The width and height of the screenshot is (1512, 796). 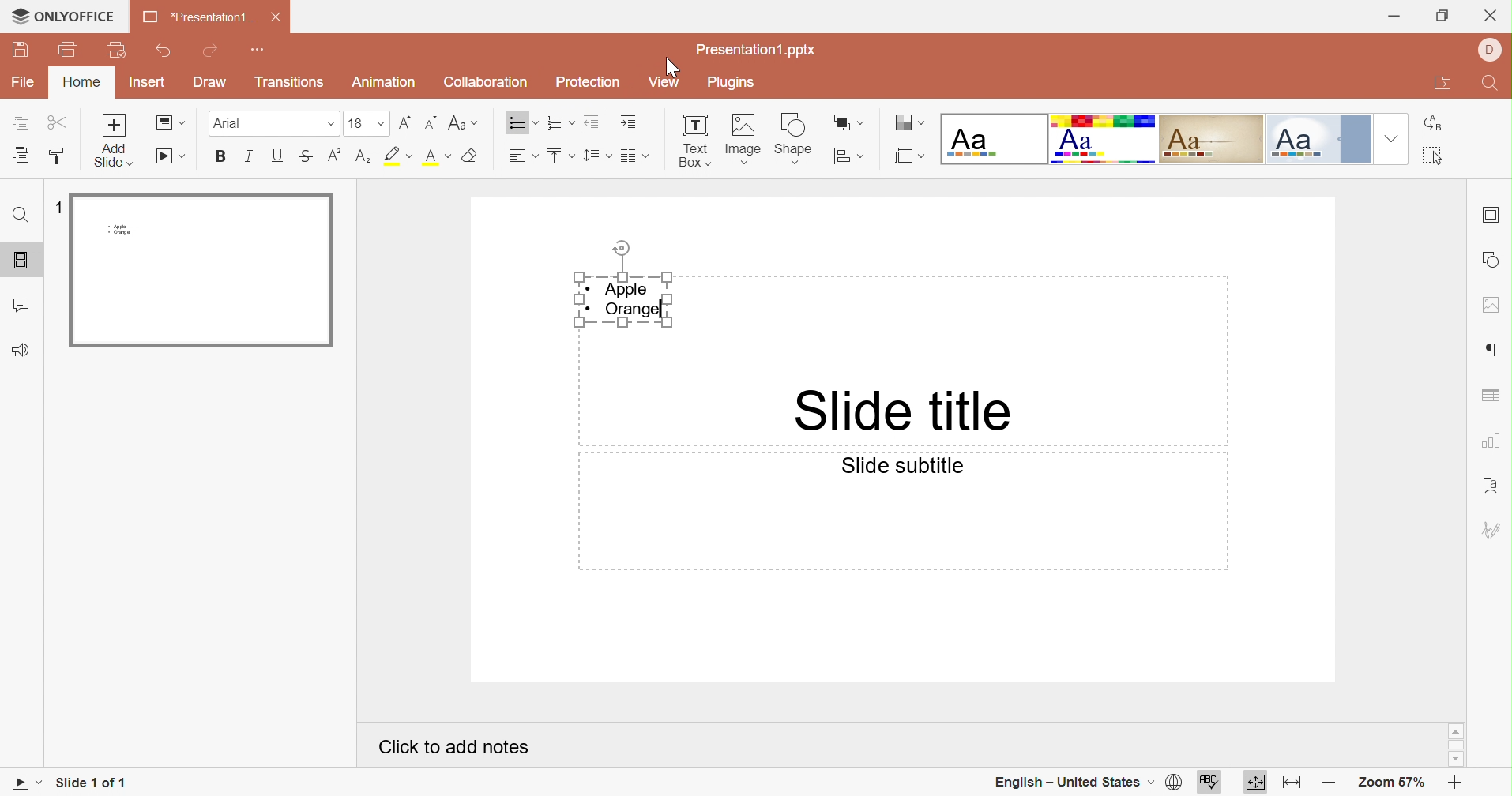 What do you see at coordinates (565, 156) in the screenshot?
I see `Bullets` at bounding box center [565, 156].